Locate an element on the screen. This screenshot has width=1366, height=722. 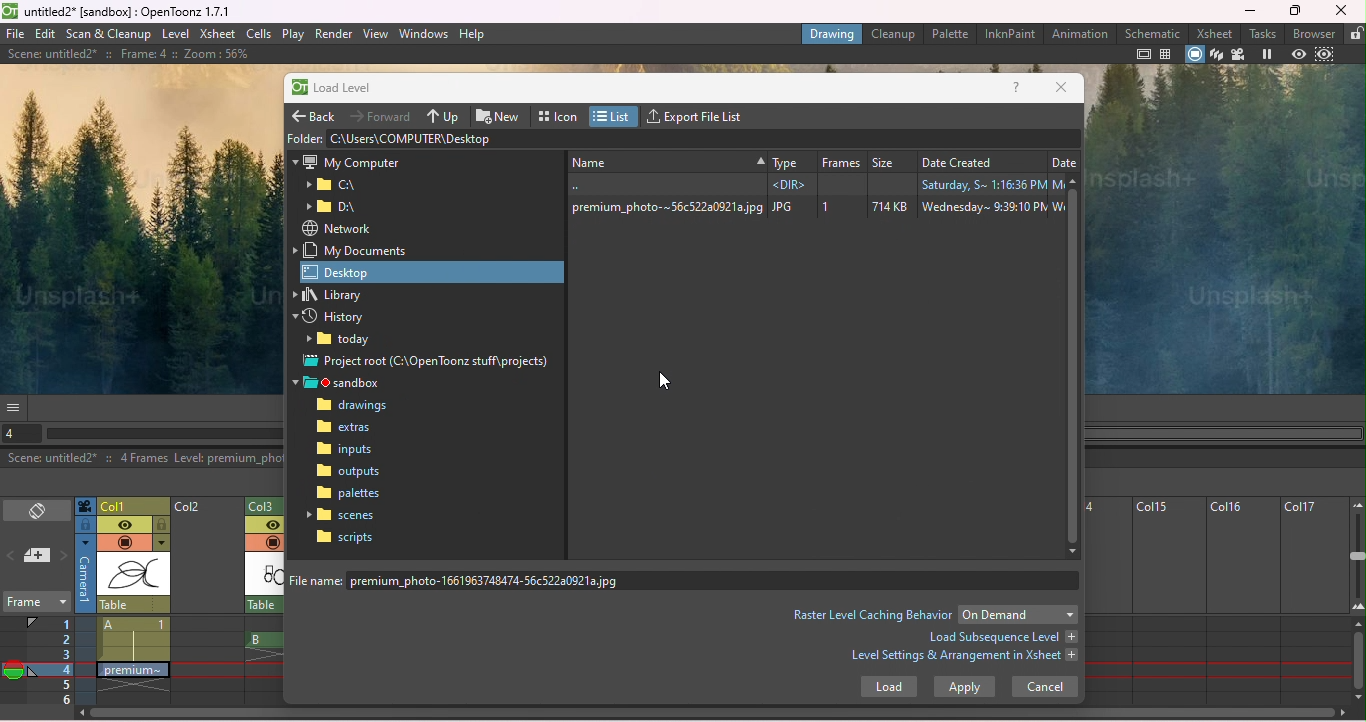
Load level is located at coordinates (343, 89).